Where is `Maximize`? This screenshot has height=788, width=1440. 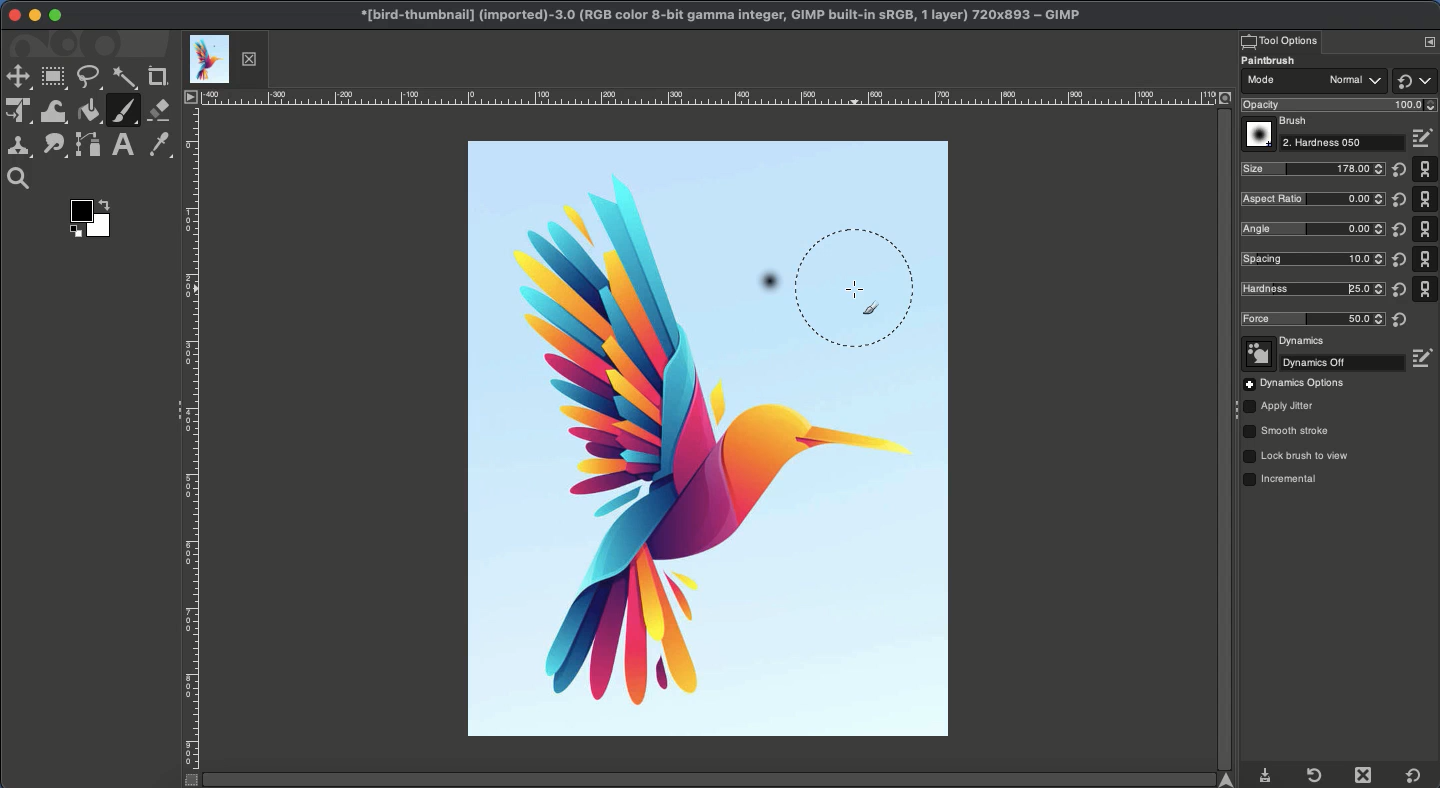
Maximize is located at coordinates (55, 15).